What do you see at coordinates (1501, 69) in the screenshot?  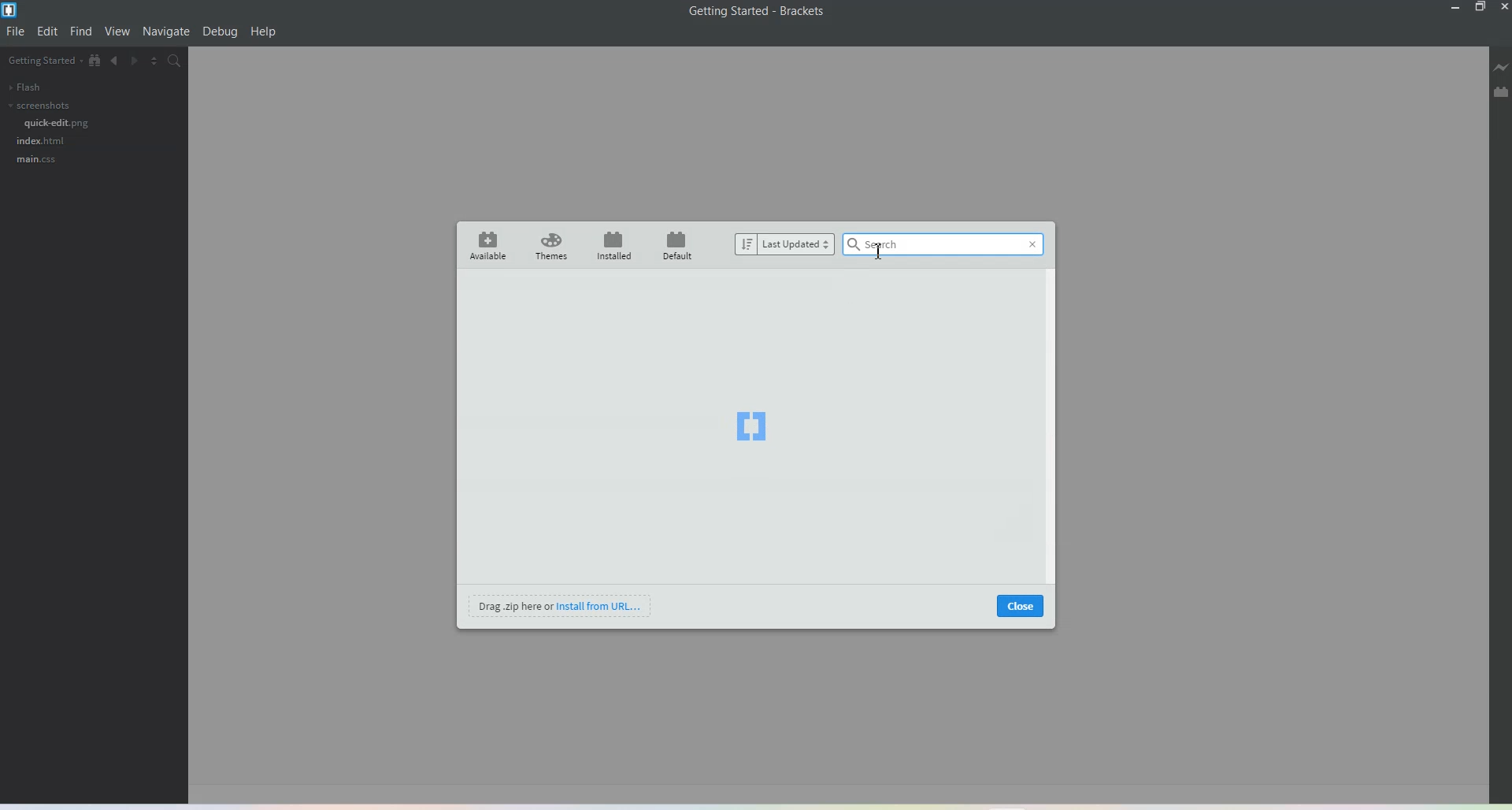 I see `Live Preview` at bounding box center [1501, 69].